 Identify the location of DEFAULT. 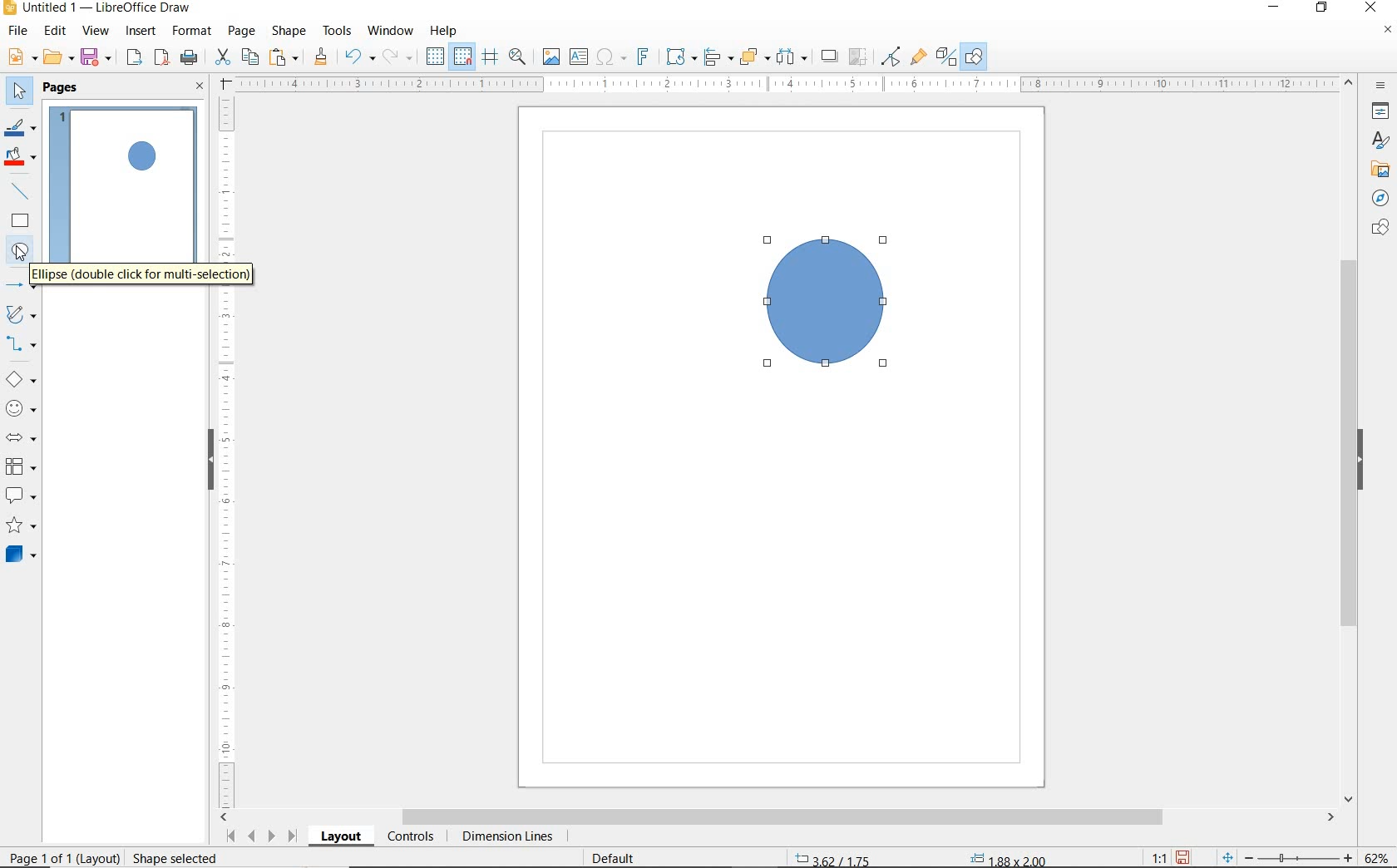
(619, 856).